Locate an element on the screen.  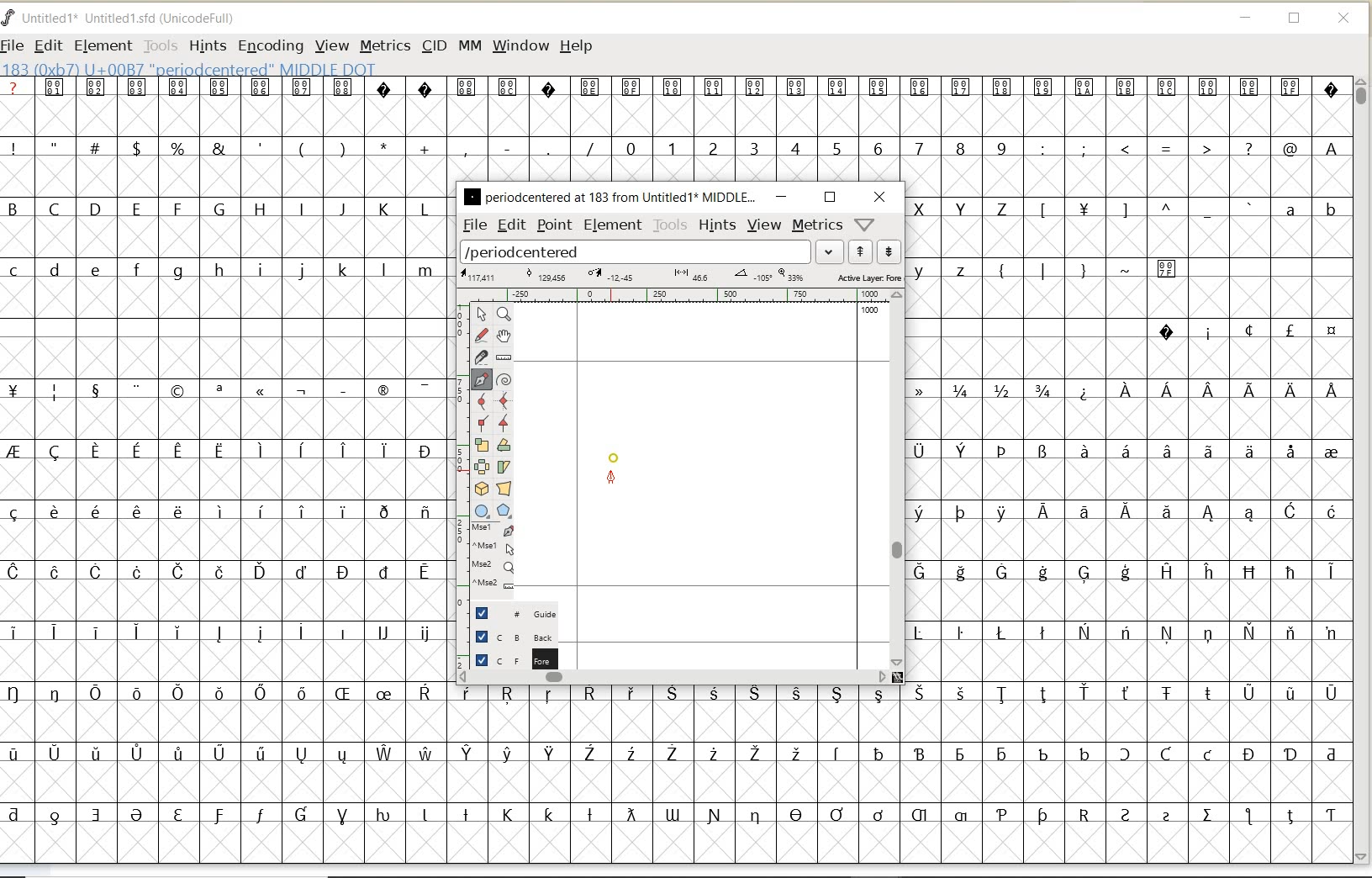
uppercase letters is located at coordinates (221, 209).